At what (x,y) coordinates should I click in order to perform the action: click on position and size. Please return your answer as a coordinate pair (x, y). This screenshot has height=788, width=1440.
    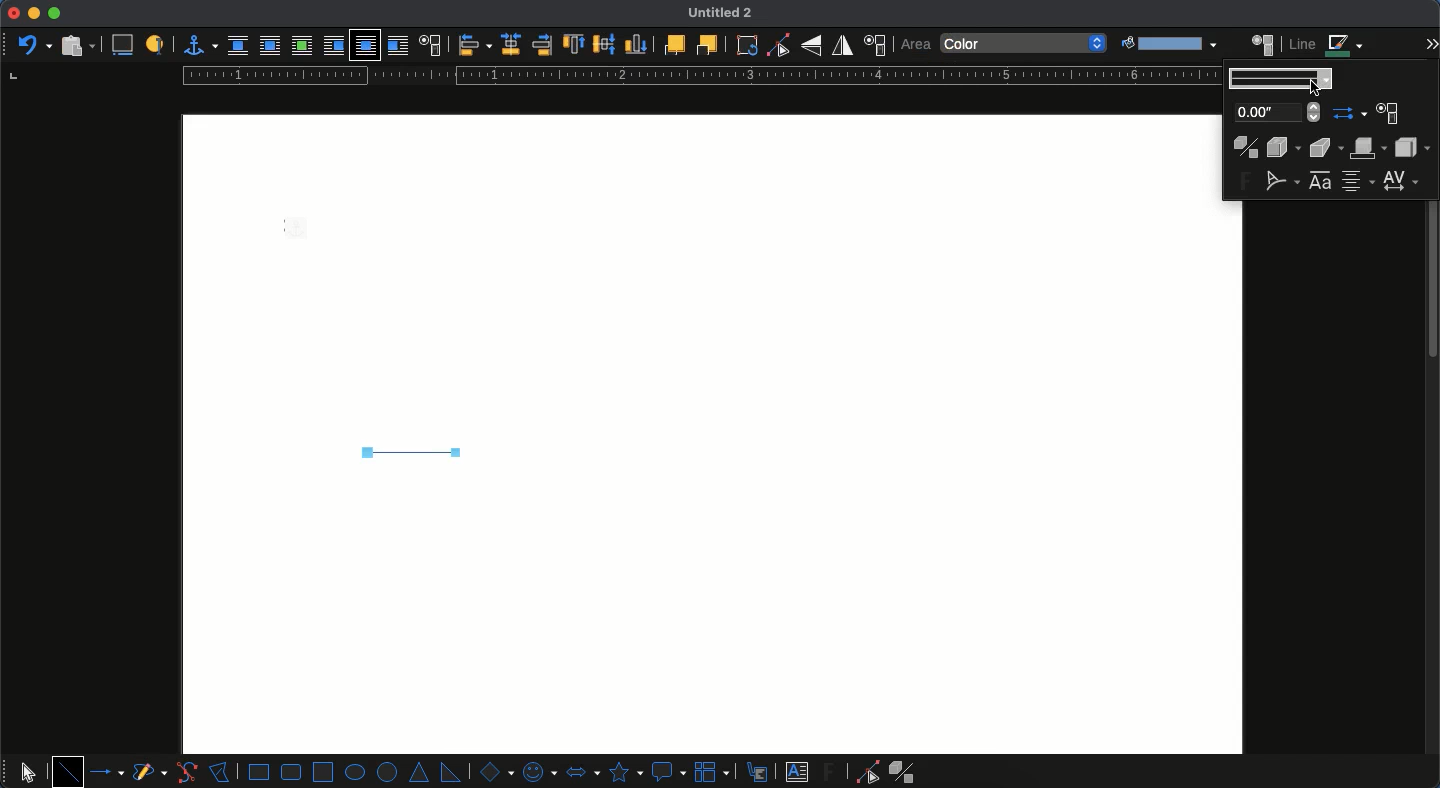
    Looking at the image, I should click on (874, 45).